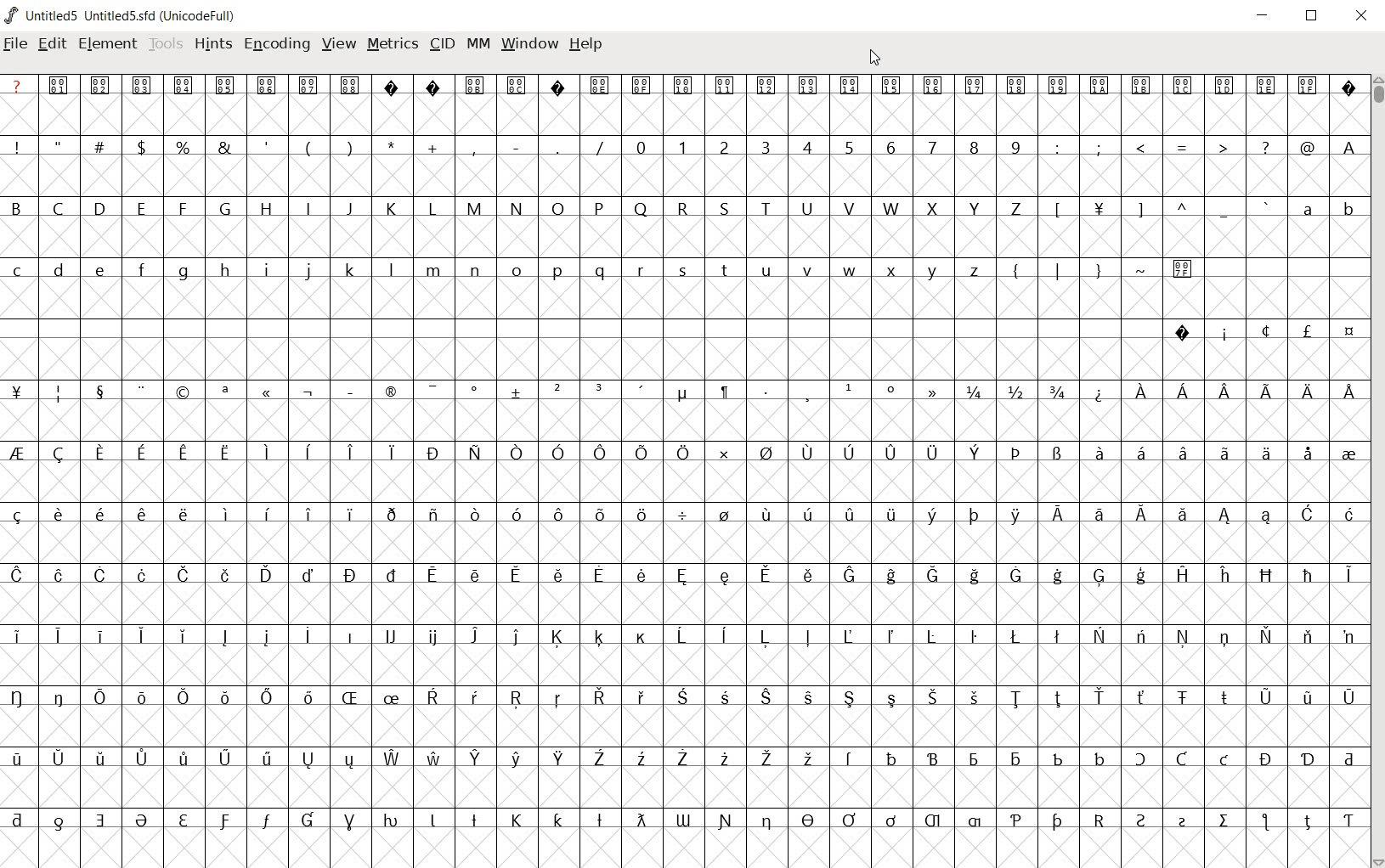 The image size is (1385, 868). Describe the element at coordinates (473, 207) in the screenshot. I see `M` at that location.